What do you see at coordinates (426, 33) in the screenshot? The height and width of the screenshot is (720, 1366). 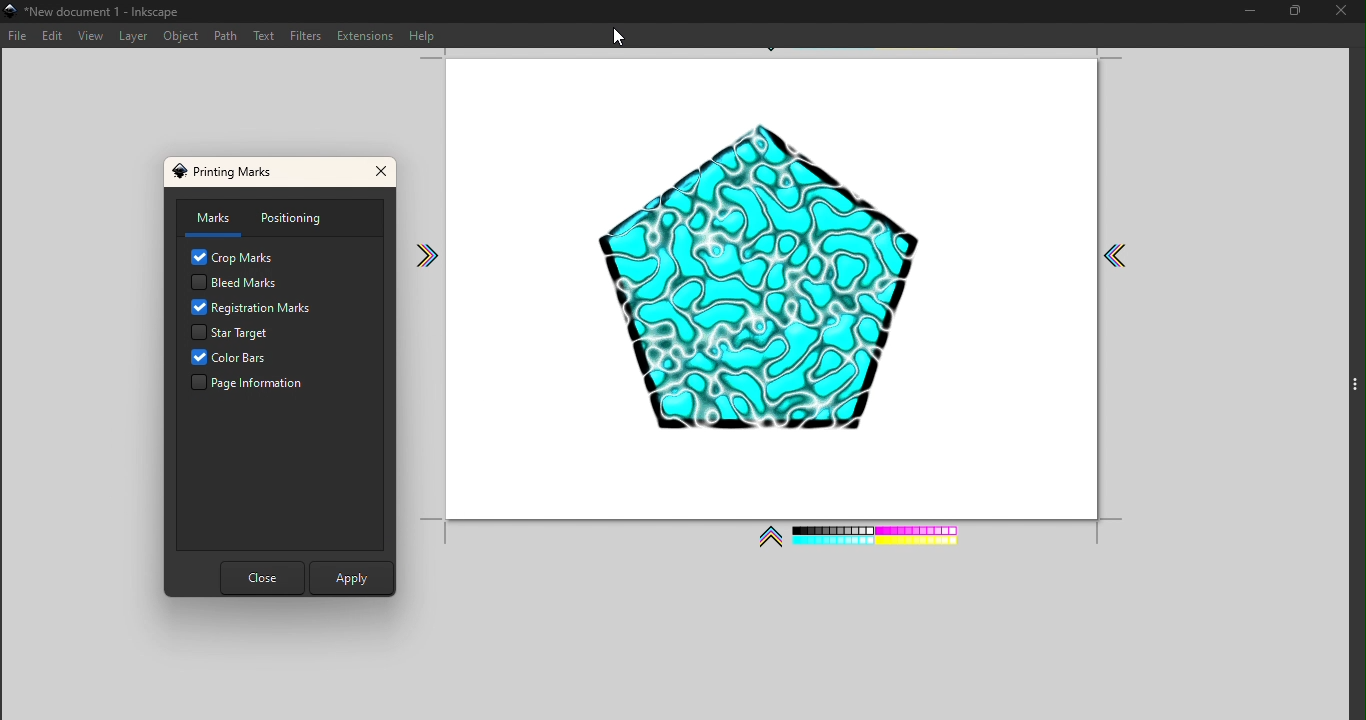 I see `Help` at bounding box center [426, 33].